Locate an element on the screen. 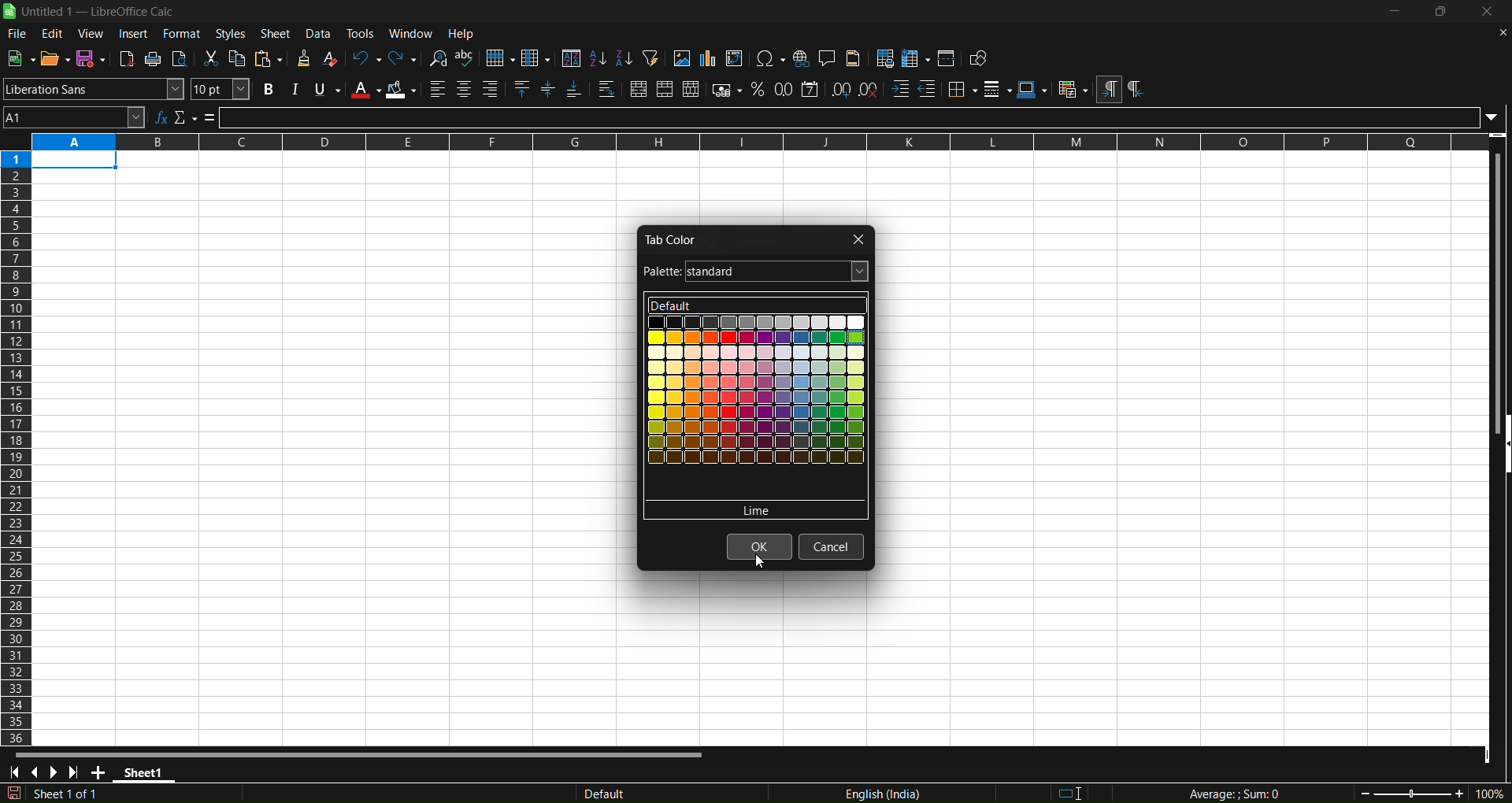 The image size is (1512, 803). font color is located at coordinates (365, 89).